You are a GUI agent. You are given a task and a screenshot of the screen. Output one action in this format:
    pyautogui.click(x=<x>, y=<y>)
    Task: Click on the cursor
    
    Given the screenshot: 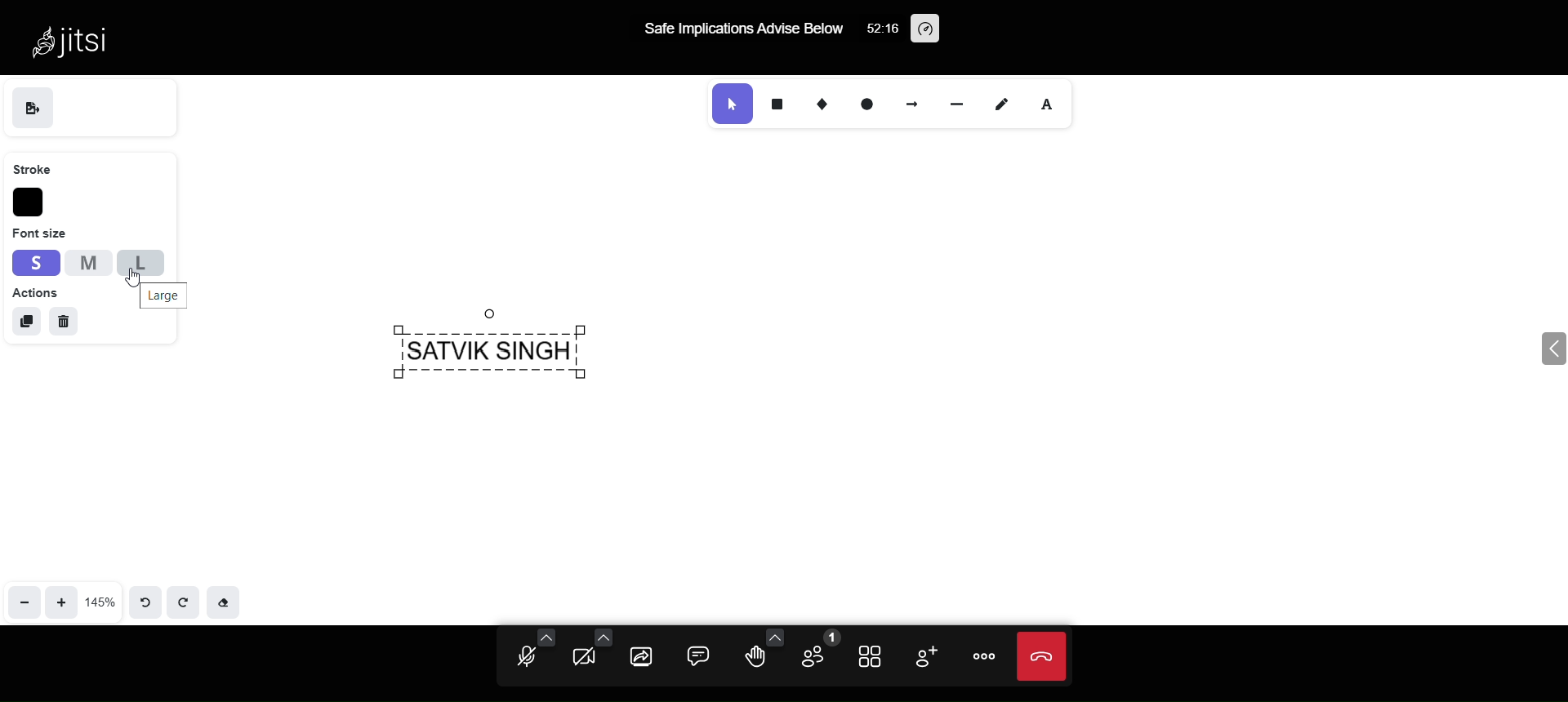 What is the action you would take?
    pyautogui.click(x=135, y=277)
    